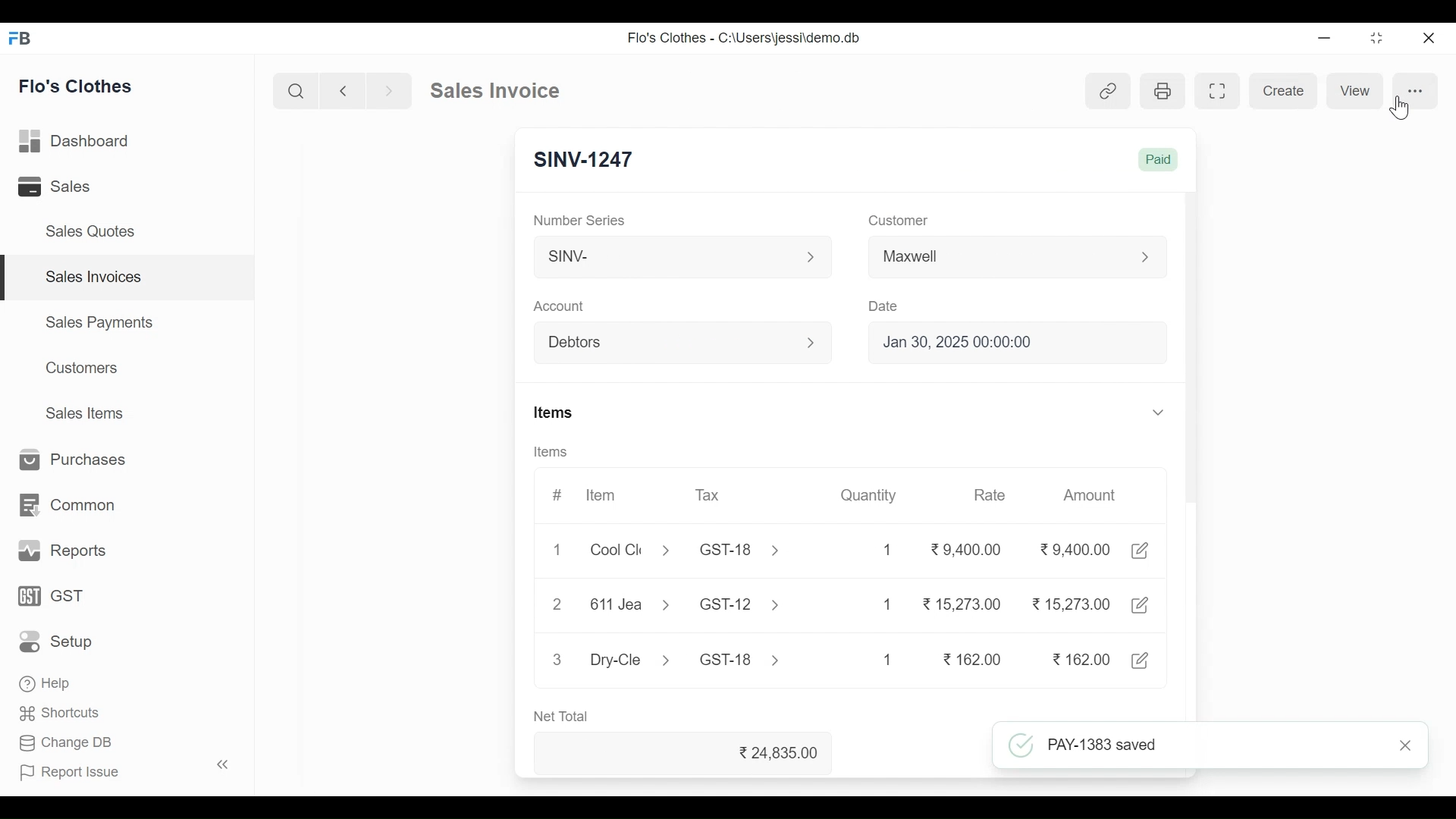 This screenshot has height=819, width=1456. I want to click on 1, so click(885, 604).